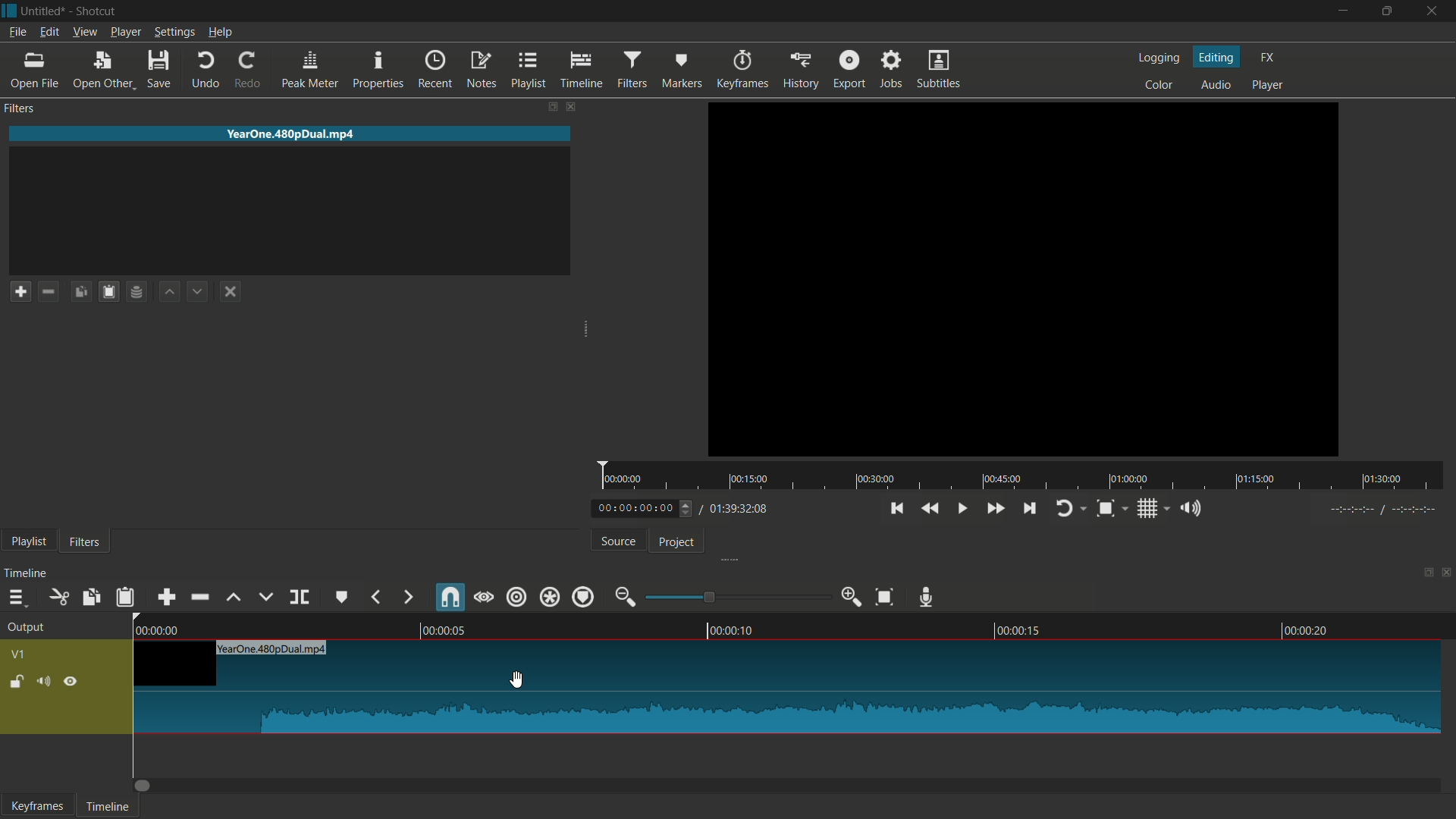  What do you see at coordinates (1021, 630) in the screenshot?
I see `00:00:15` at bounding box center [1021, 630].